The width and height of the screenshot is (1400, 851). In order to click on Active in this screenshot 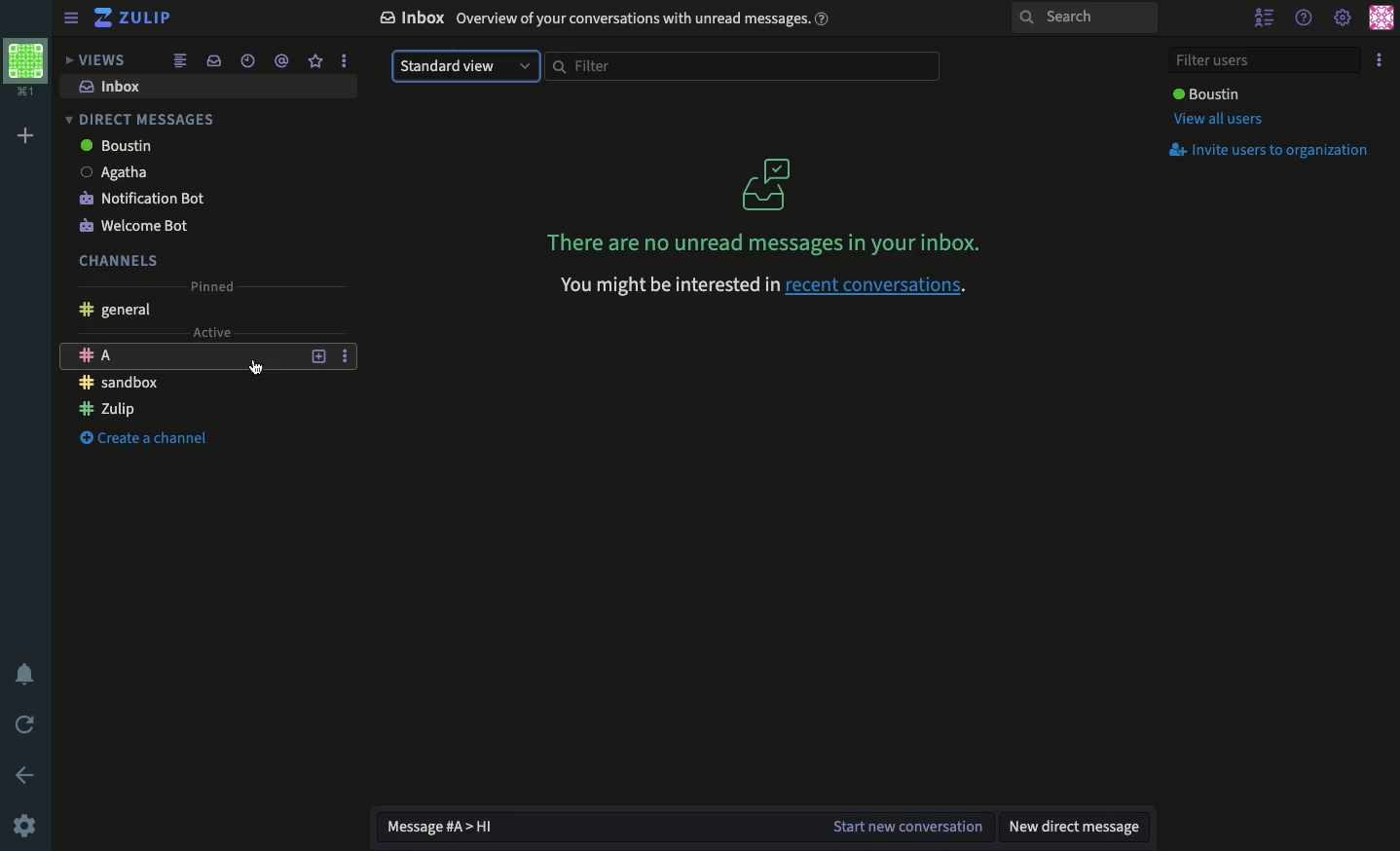, I will do `click(211, 330)`.